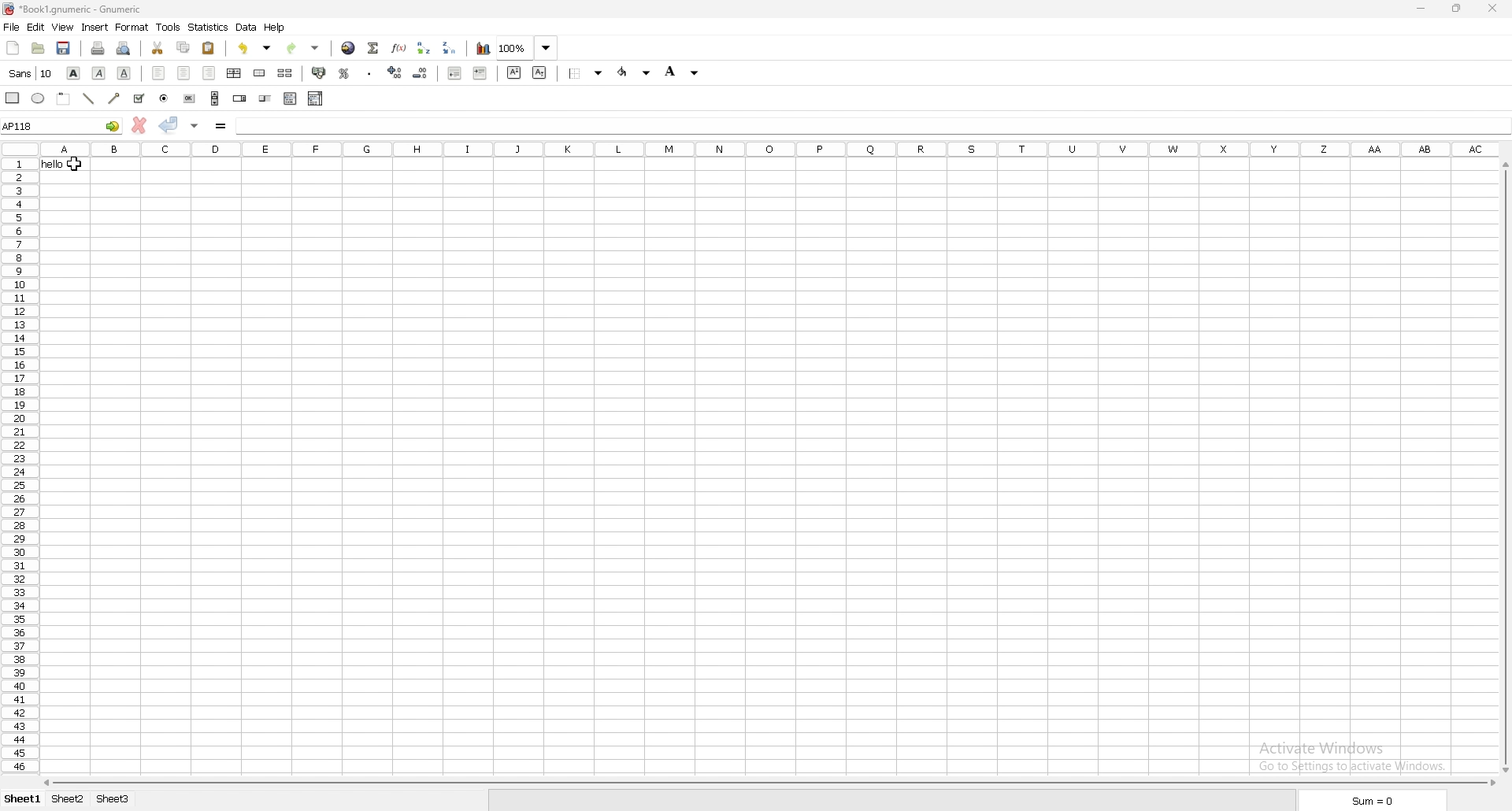 The width and height of the screenshot is (1512, 811). What do you see at coordinates (286, 72) in the screenshot?
I see `split merged cells` at bounding box center [286, 72].